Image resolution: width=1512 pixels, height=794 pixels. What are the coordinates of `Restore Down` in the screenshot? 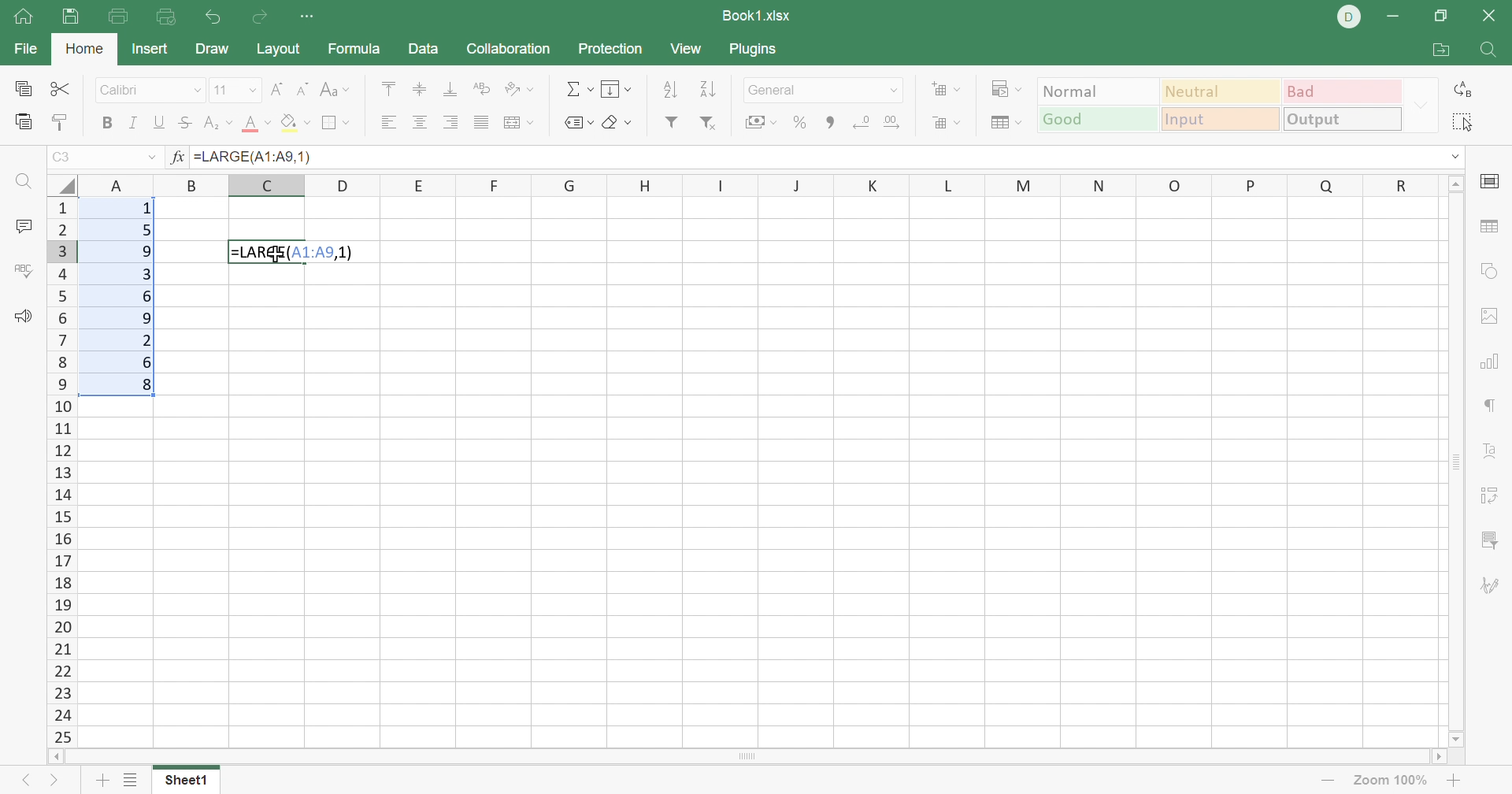 It's located at (1440, 14).